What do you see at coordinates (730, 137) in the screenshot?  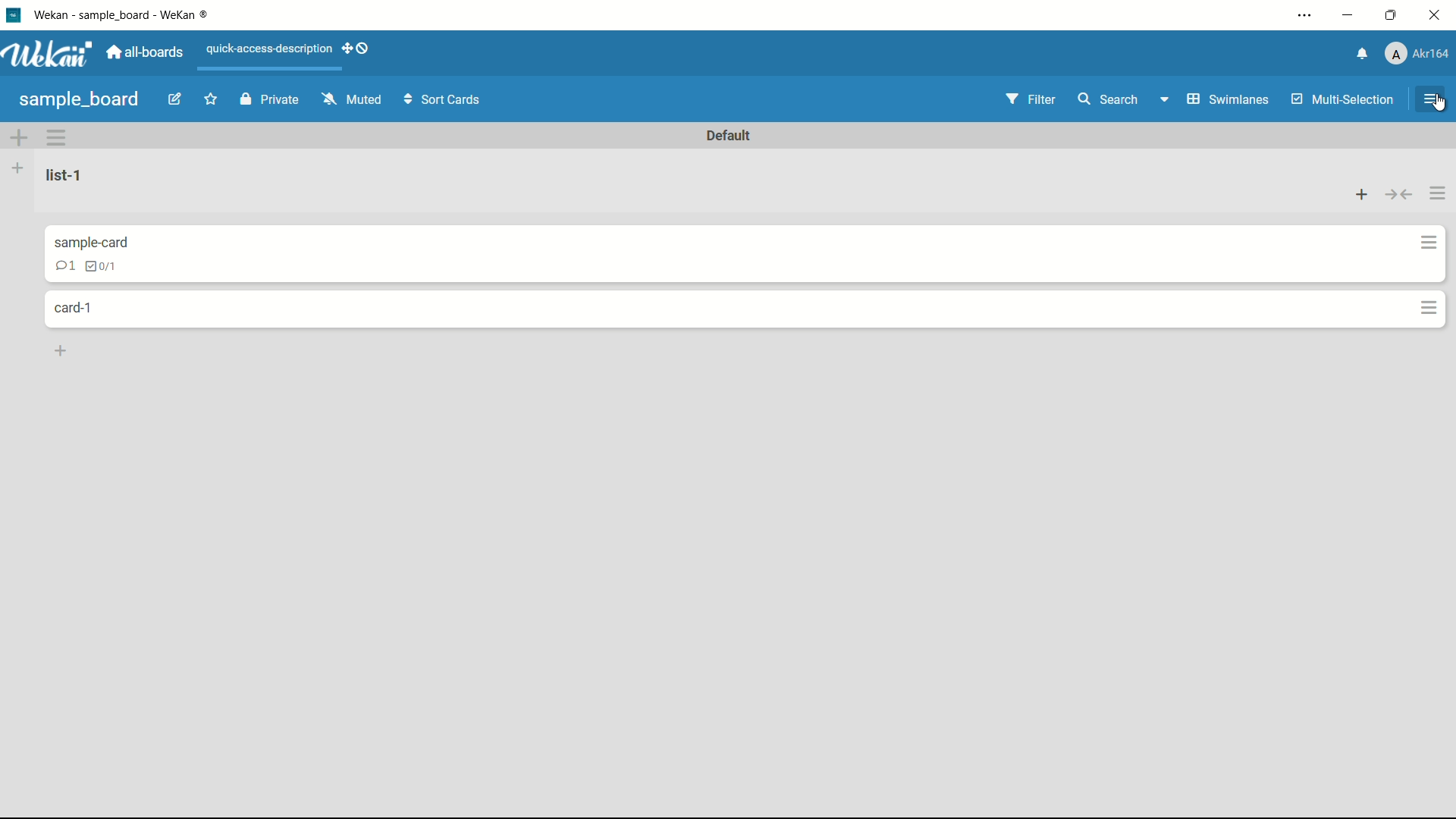 I see `default` at bounding box center [730, 137].